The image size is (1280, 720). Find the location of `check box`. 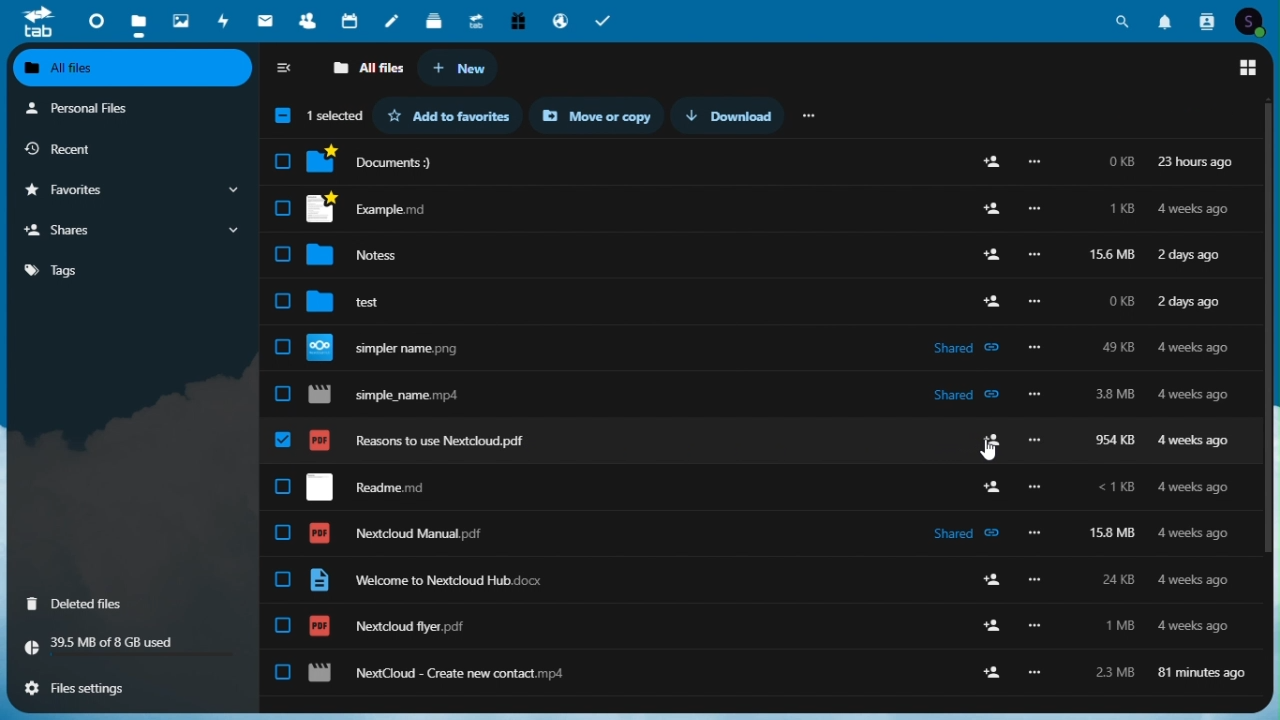

check box is located at coordinates (283, 302).